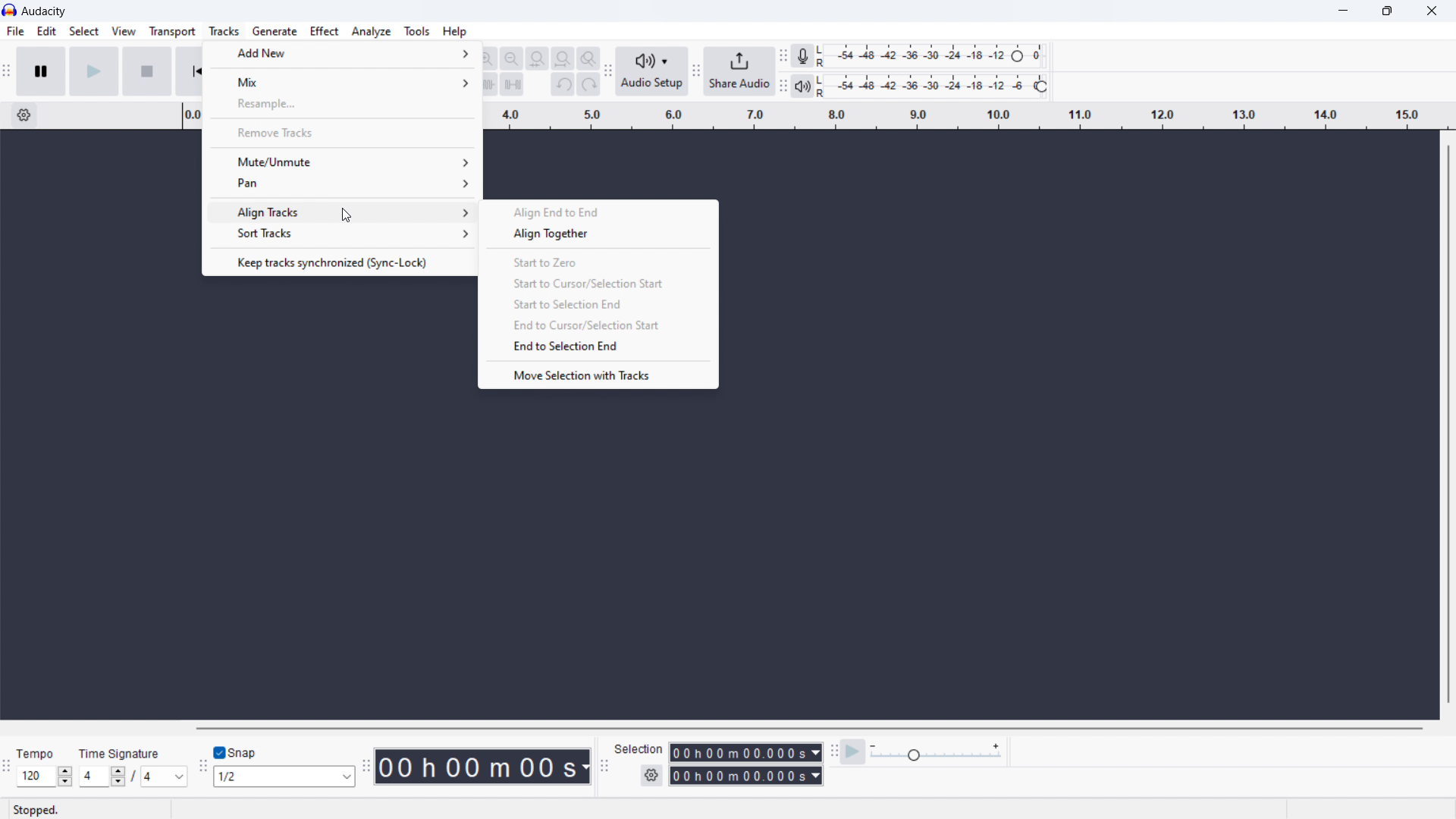 This screenshot has height=819, width=1456. Describe the element at coordinates (487, 84) in the screenshot. I see `trim audio outside selection` at that location.